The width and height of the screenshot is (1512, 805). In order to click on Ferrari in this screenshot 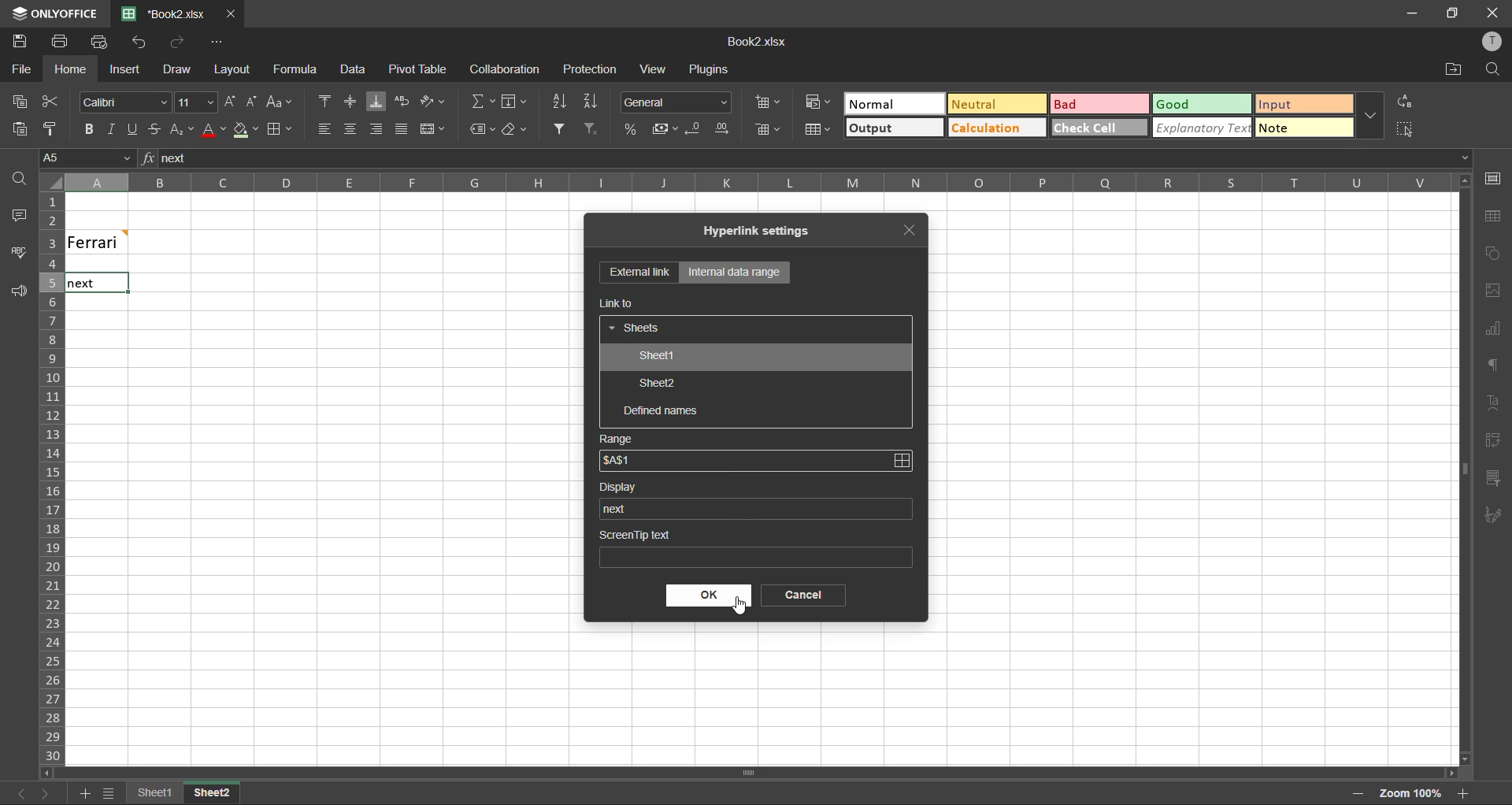, I will do `click(120, 241)`.